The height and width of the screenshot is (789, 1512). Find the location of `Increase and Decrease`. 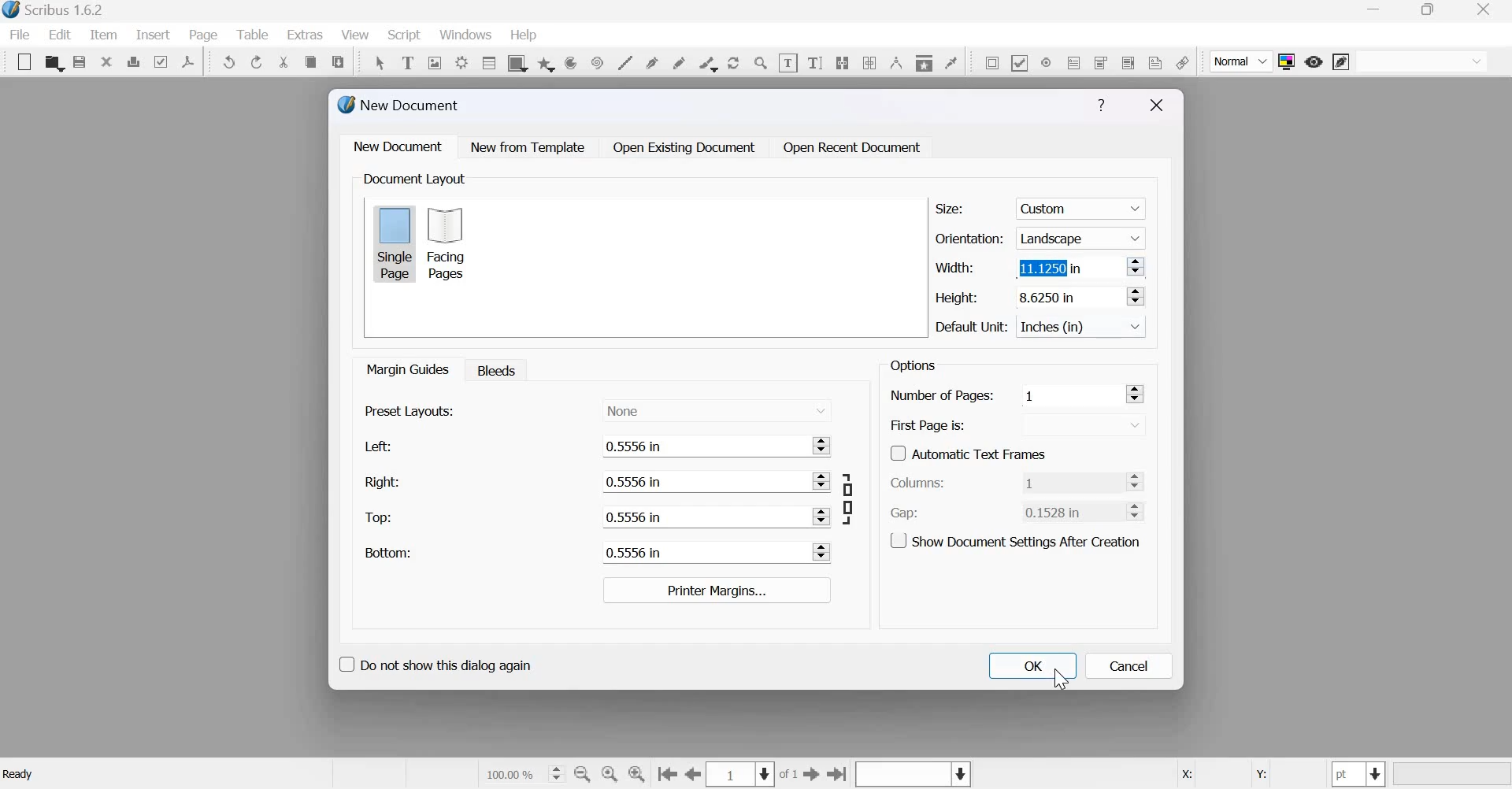

Increase and Decrease is located at coordinates (823, 552).